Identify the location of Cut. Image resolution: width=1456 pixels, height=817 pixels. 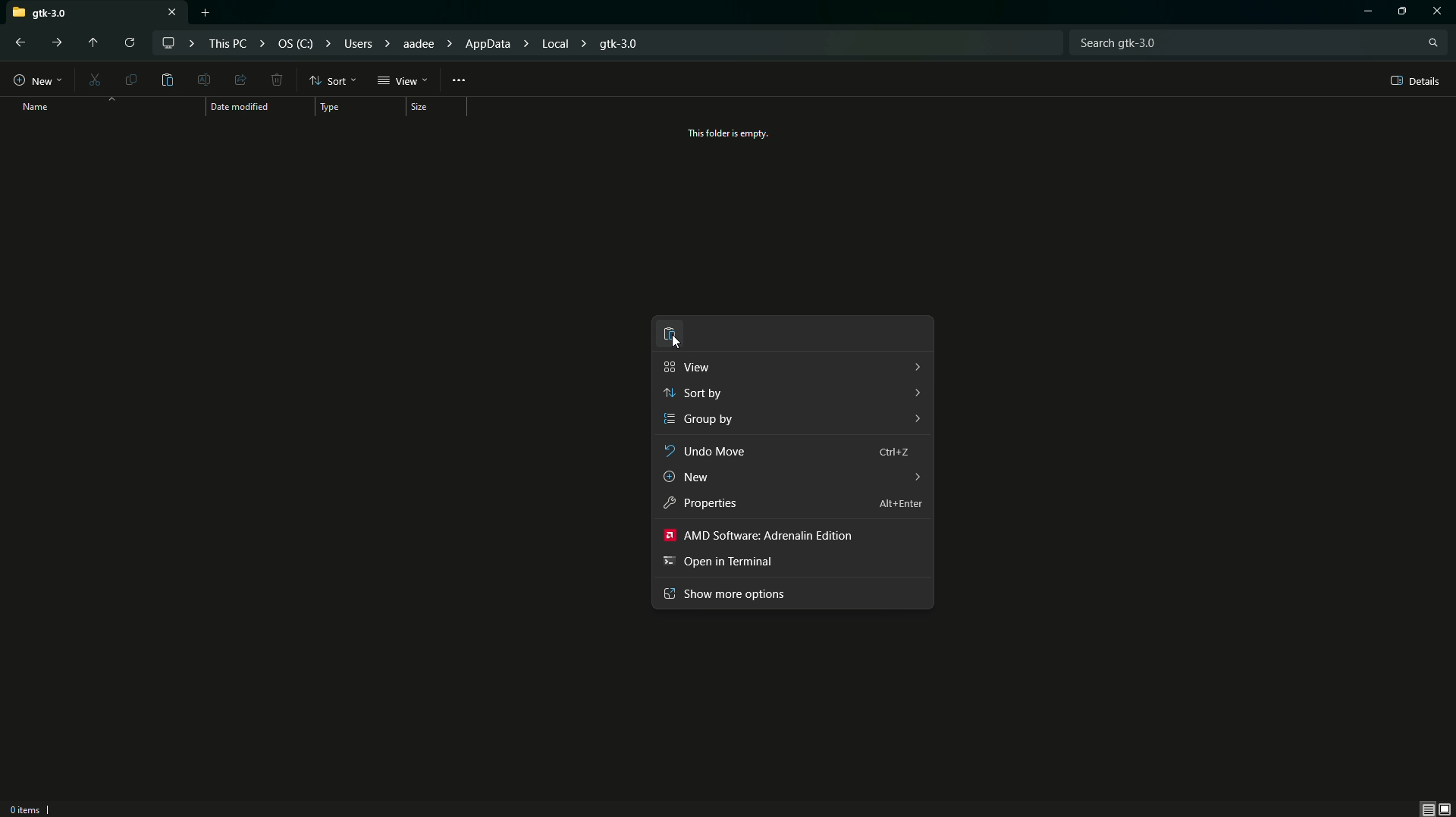
(96, 79).